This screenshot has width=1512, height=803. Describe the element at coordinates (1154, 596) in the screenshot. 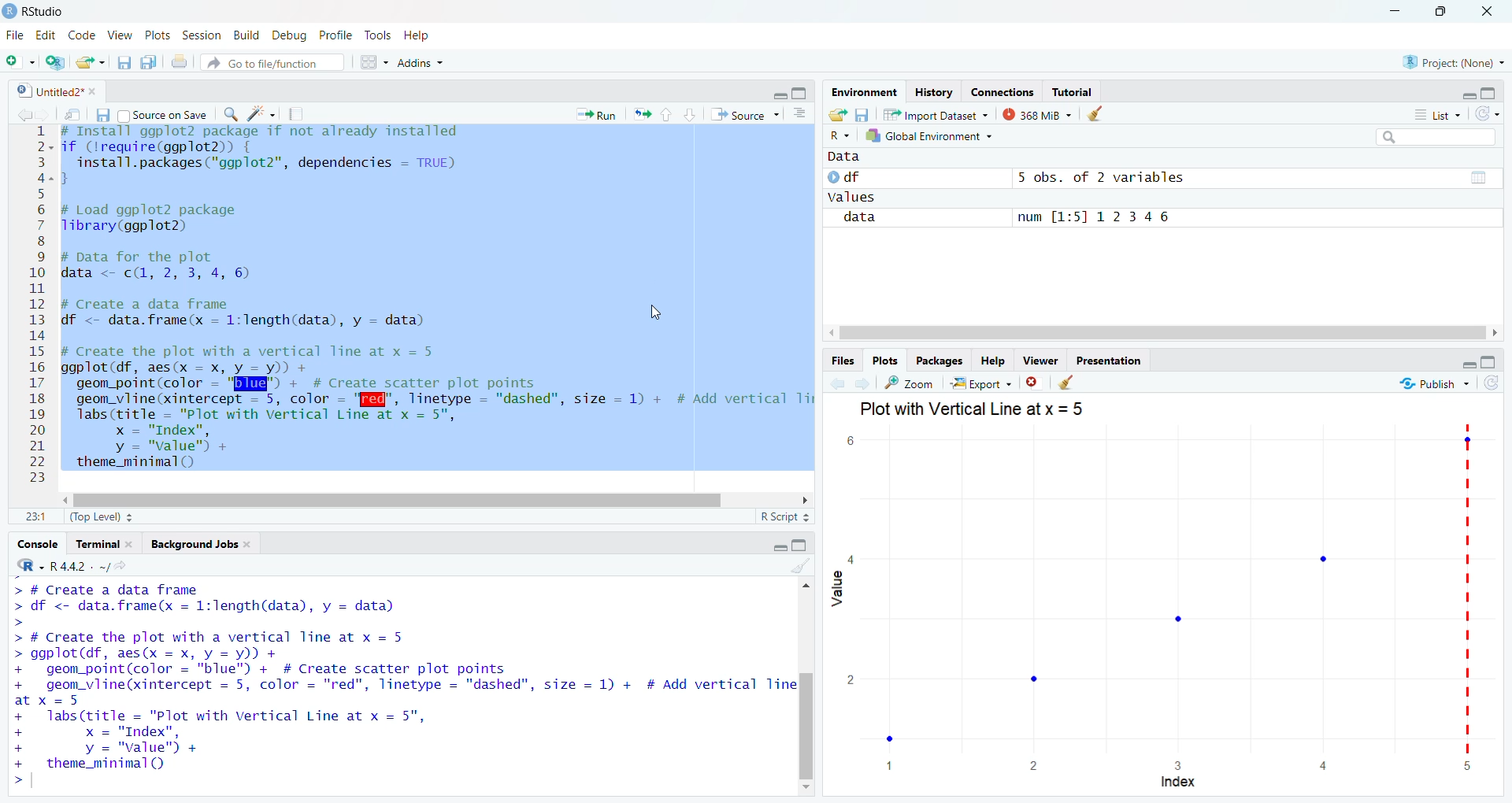

I see `graph` at that location.